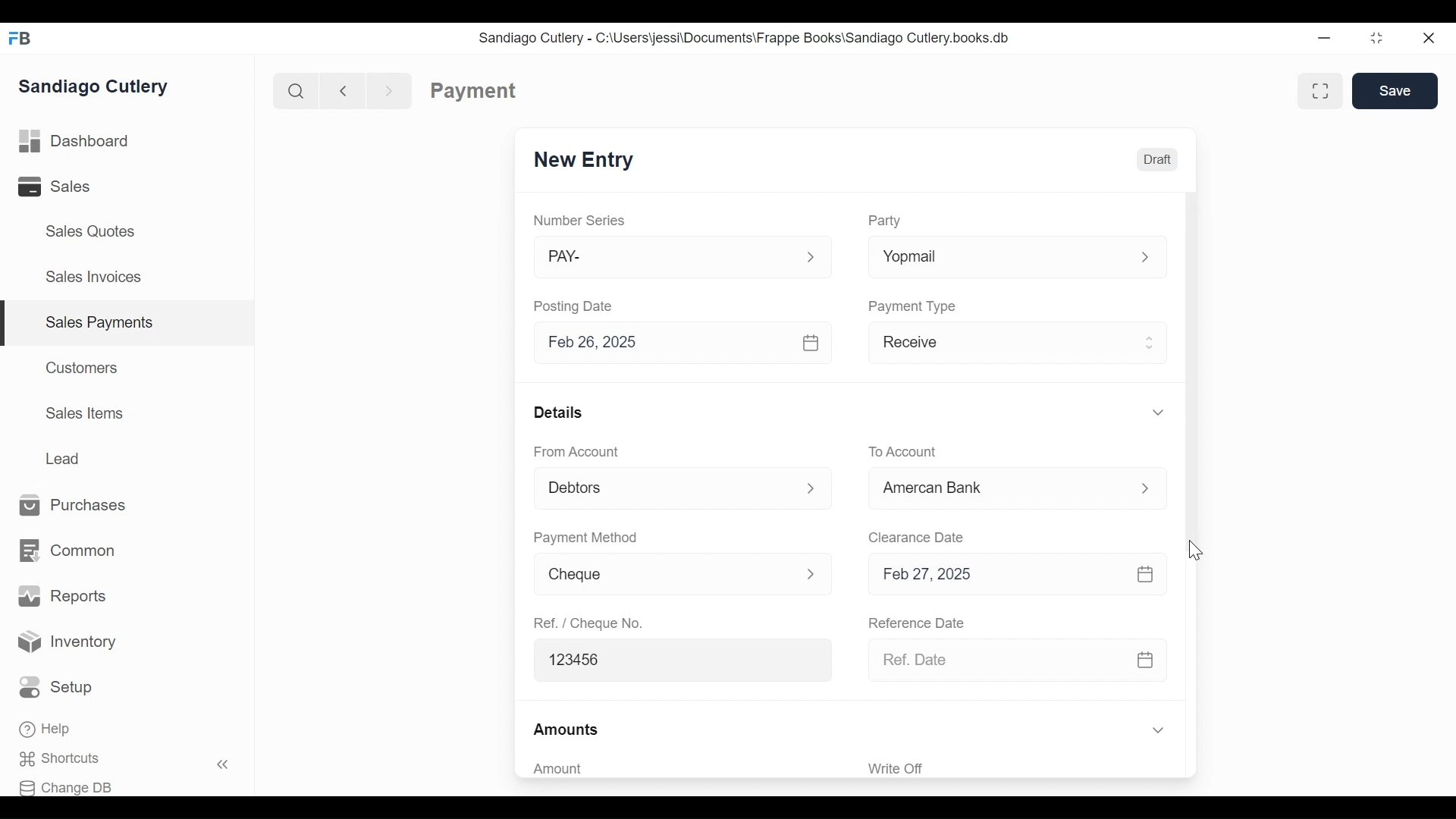  I want to click on Setup, so click(60, 688).